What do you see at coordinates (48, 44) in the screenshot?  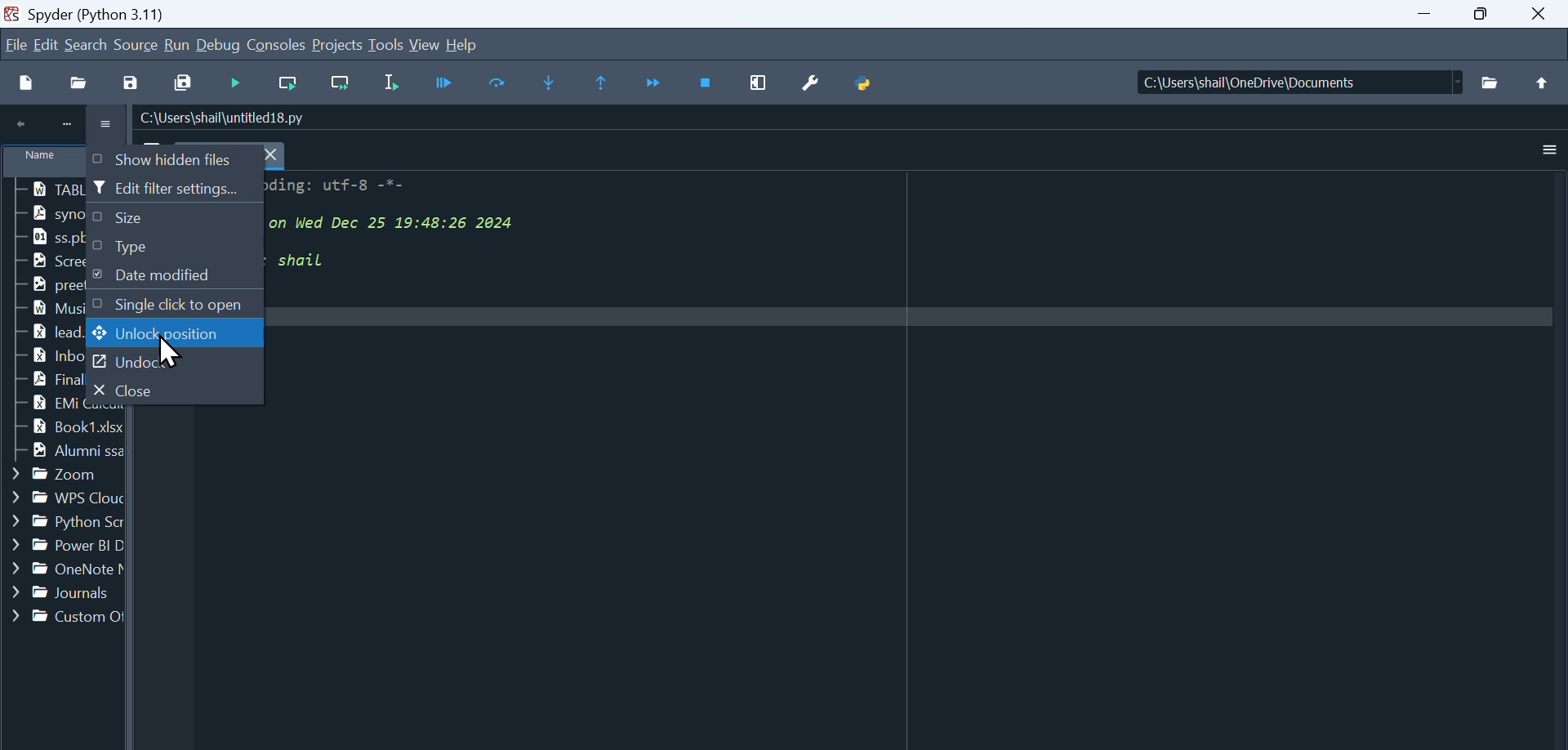 I see `` at bounding box center [48, 44].